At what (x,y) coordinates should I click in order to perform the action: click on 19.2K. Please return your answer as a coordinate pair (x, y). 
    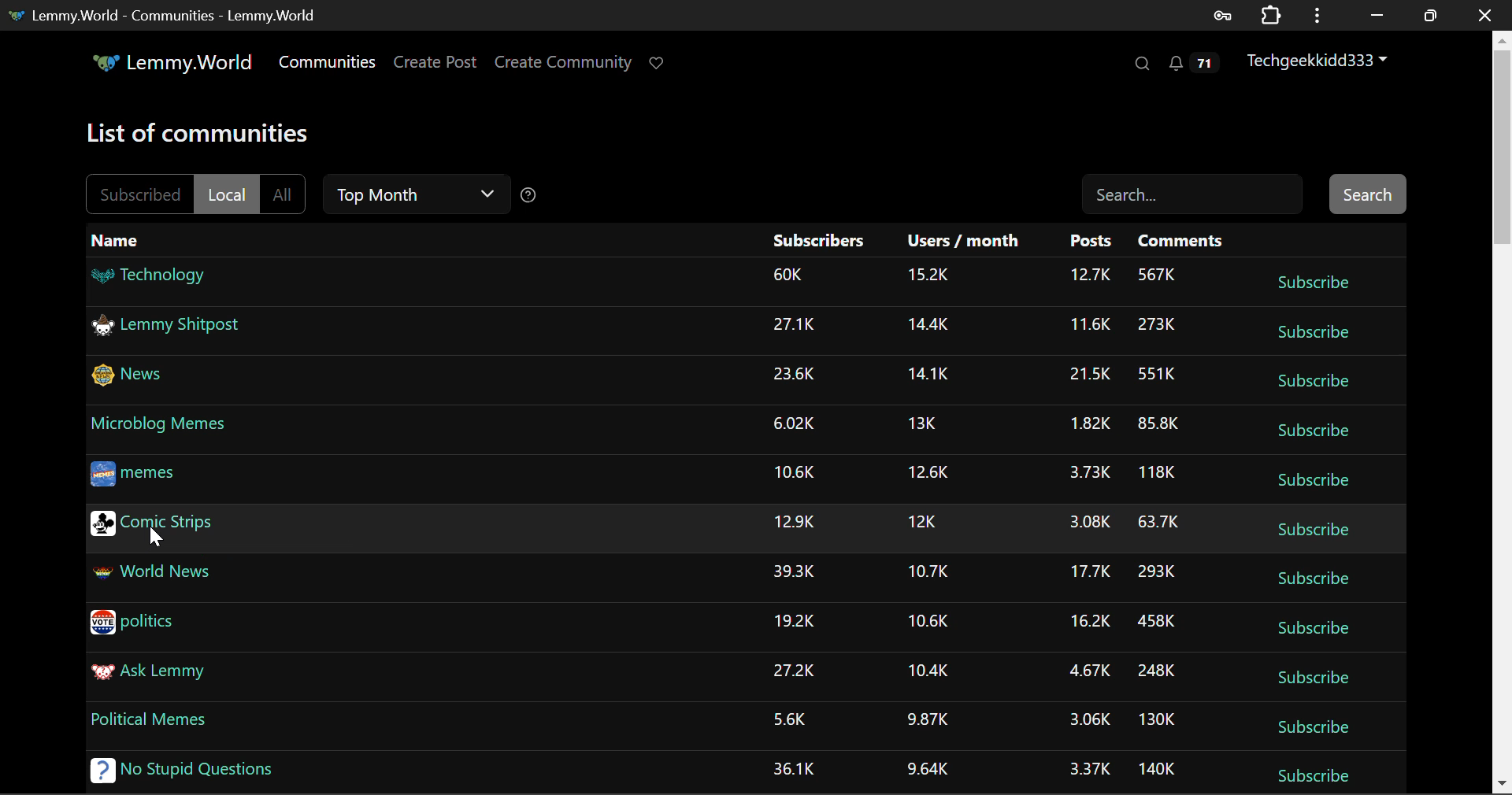
    Looking at the image, I should click on (795, 623).